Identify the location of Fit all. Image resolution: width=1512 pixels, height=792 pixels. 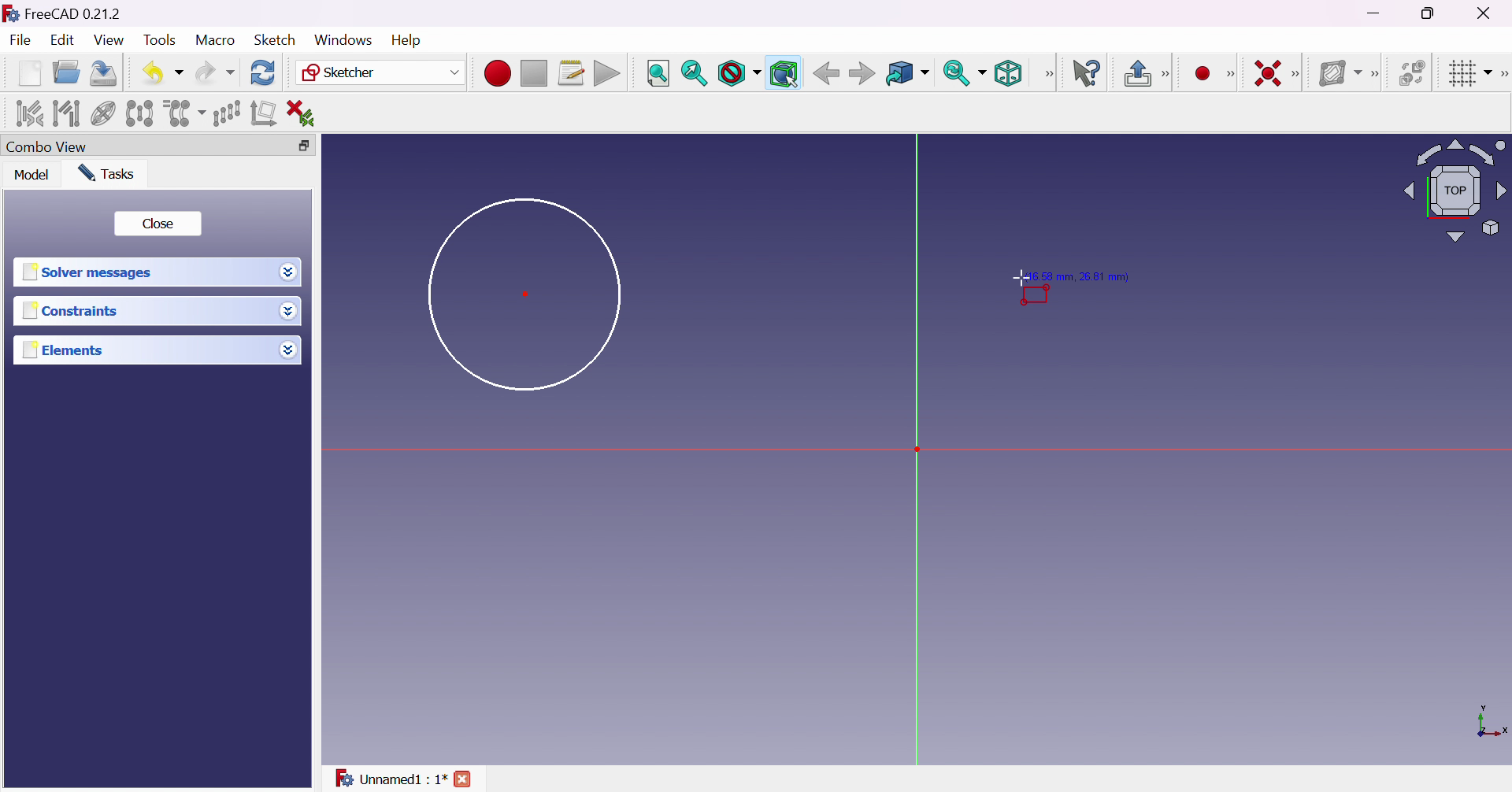
(658, 74).